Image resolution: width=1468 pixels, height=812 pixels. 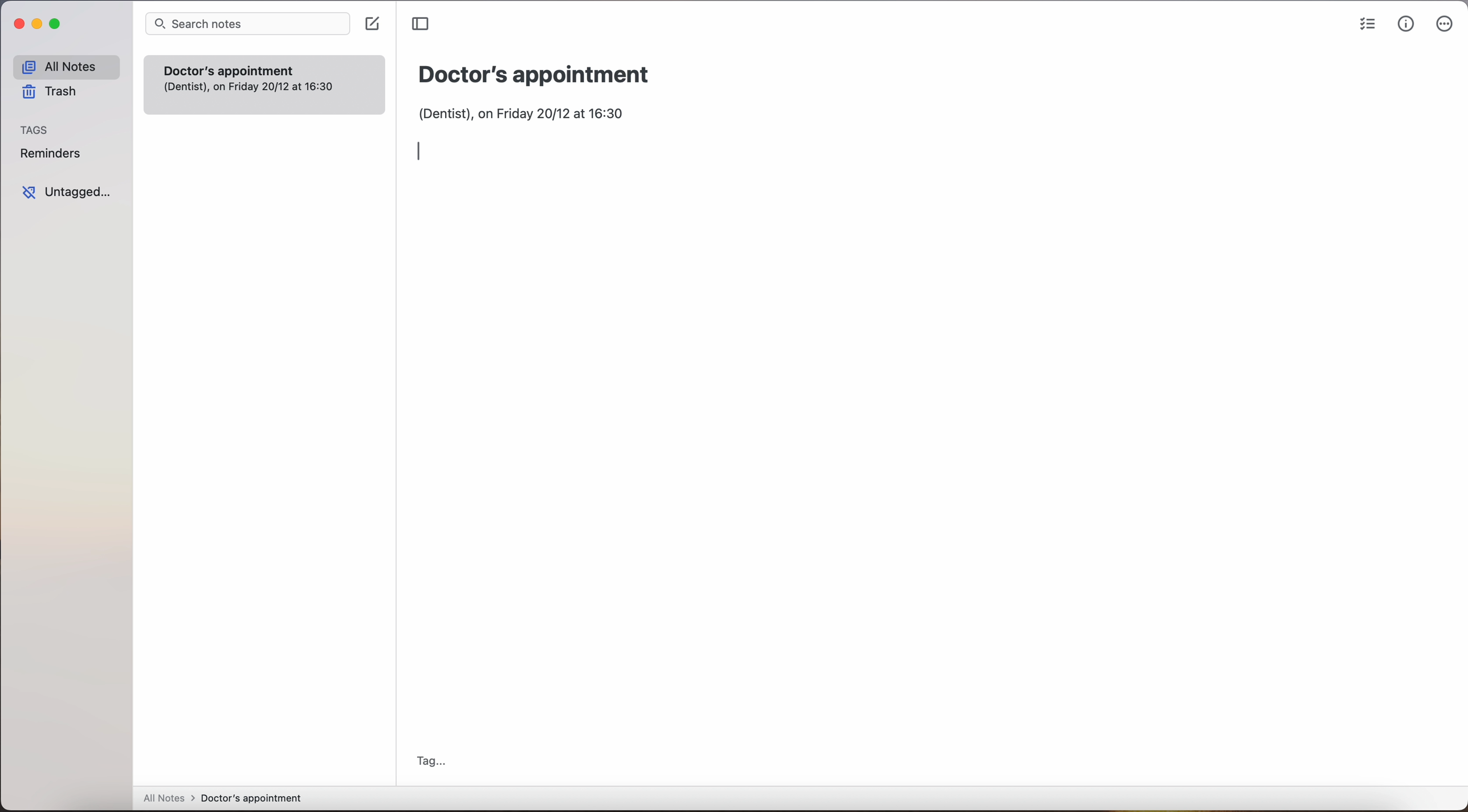 What do you see at coordinates (533, 111) in the screenshot?
I see `(Dentist), on Friday 20/12 at 16:30` at bounding box center [533, 111].